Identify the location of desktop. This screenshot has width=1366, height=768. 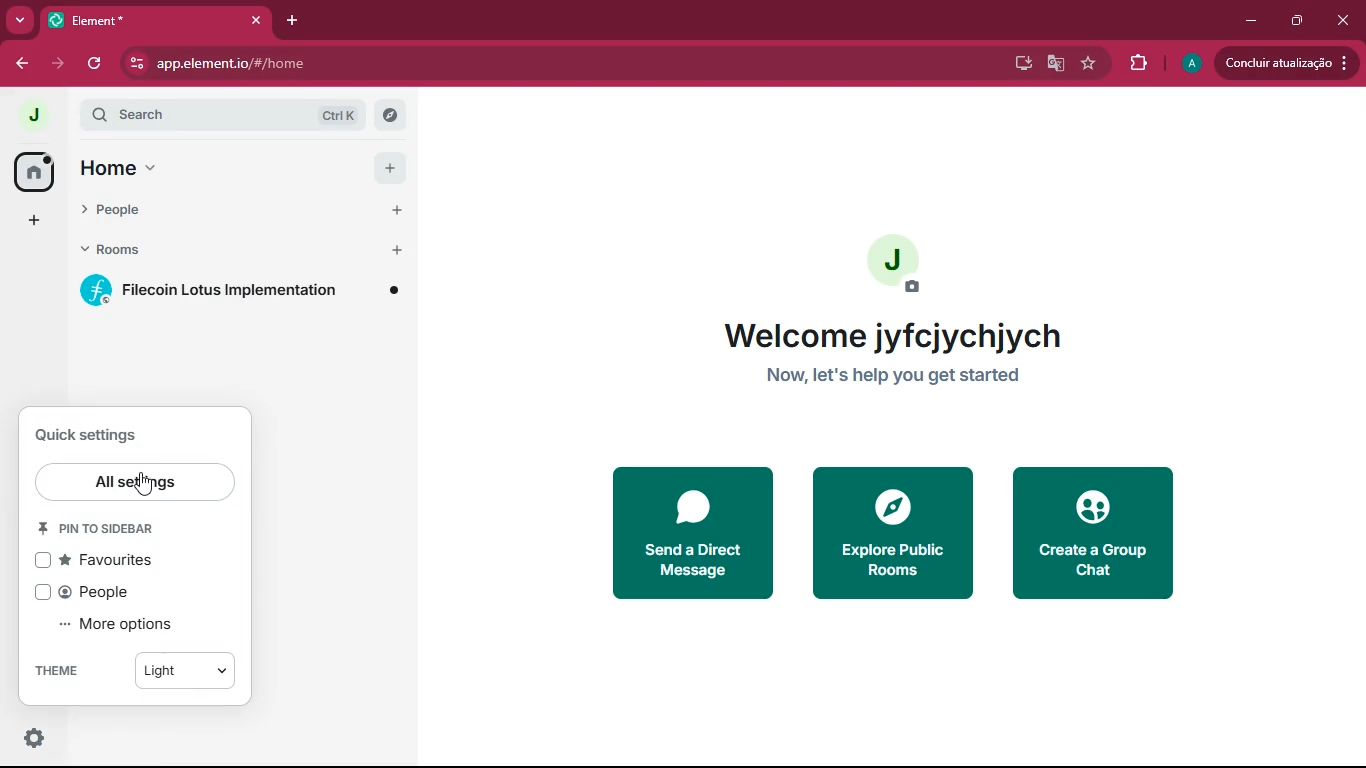
(1021, 64).